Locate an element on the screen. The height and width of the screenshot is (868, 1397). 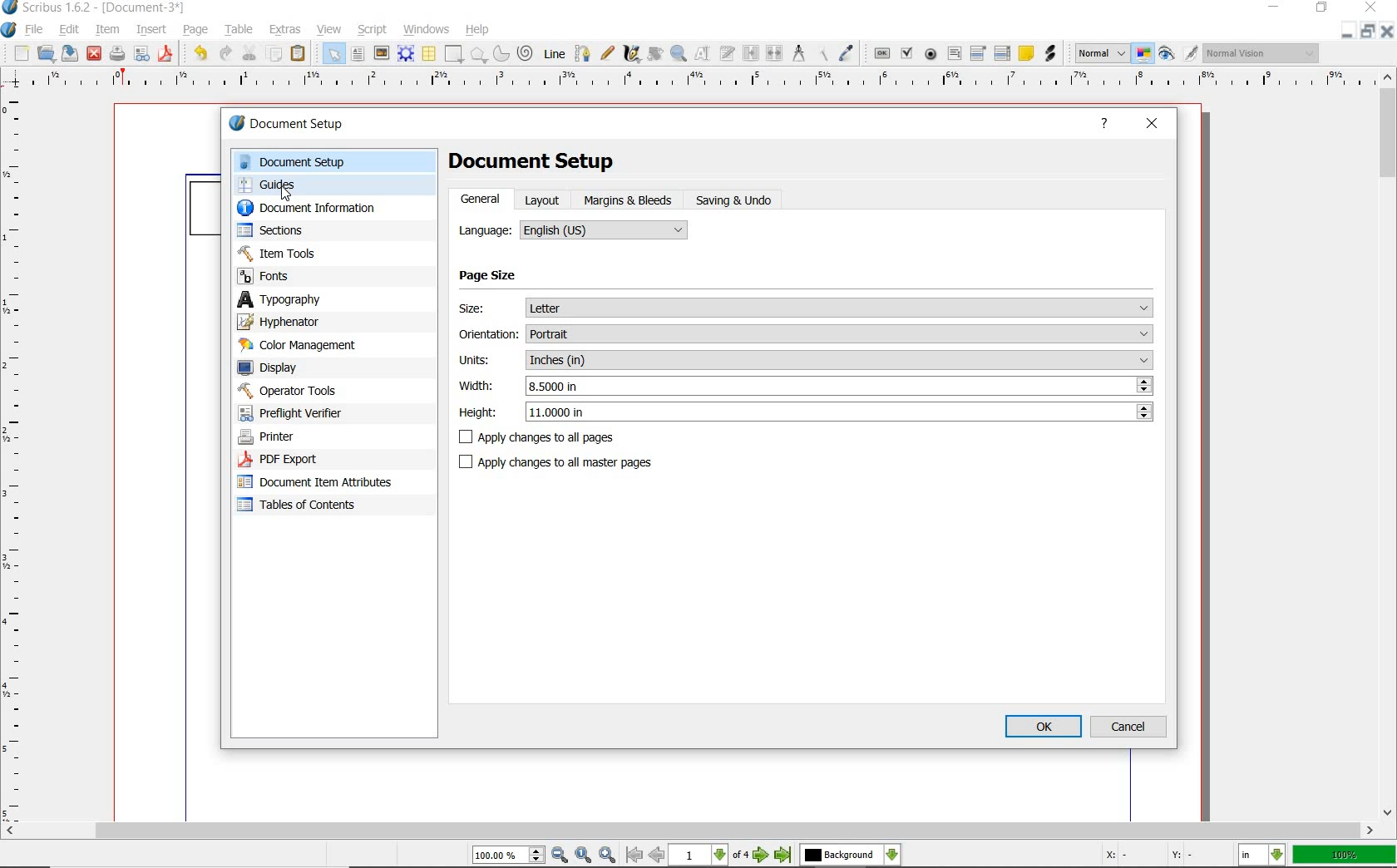
close is located at coordinates (93, 55).